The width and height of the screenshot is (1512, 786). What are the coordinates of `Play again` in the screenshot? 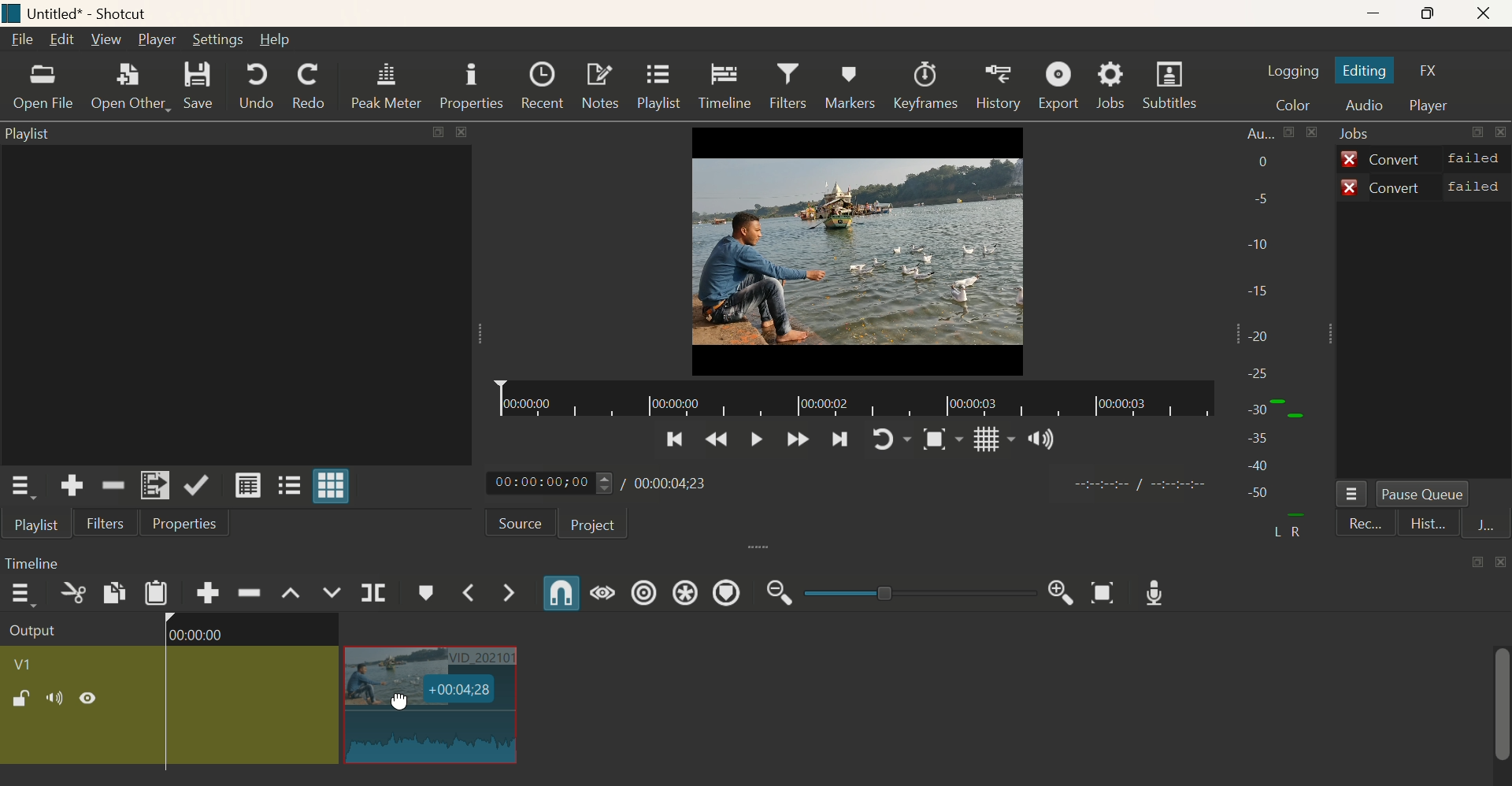 It's located at (893, 439).